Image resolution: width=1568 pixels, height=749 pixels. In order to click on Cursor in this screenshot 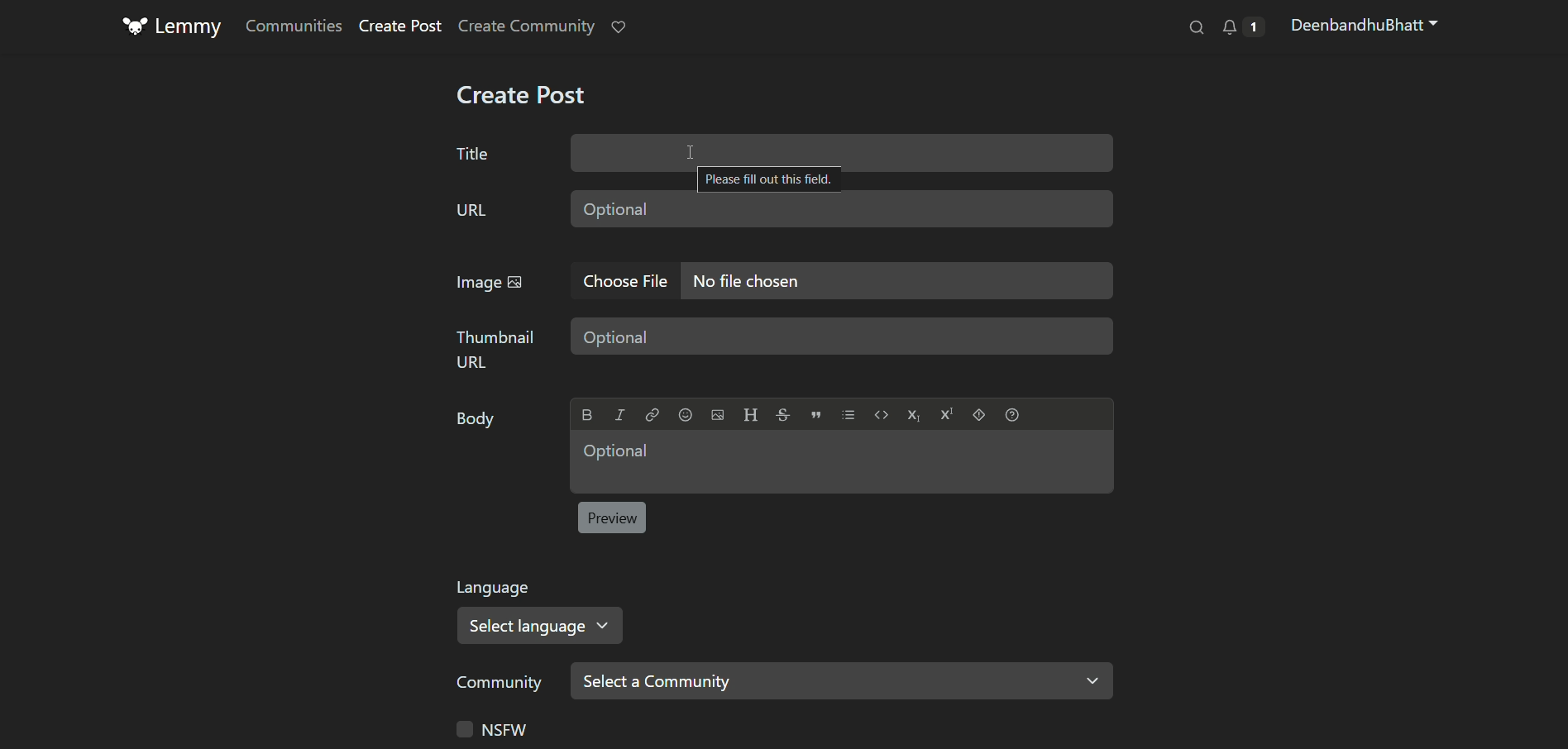, I will do `click(689, 152)`.